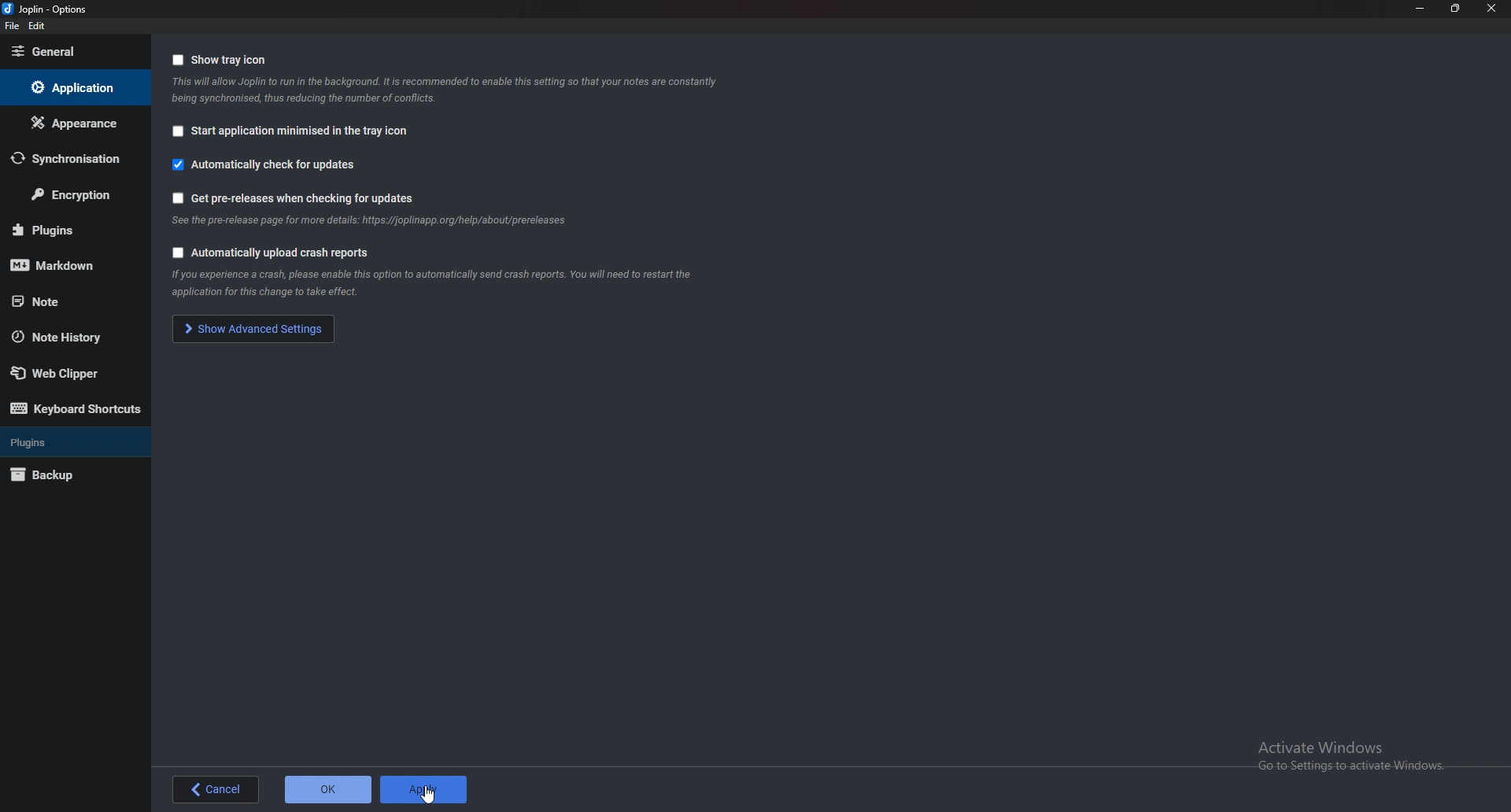 This screenshot has width=1511, height=812. What do you see at coordinates (177, 61) in the screenshot?
I see `Checkbox ` at bounding box center [177, 61].